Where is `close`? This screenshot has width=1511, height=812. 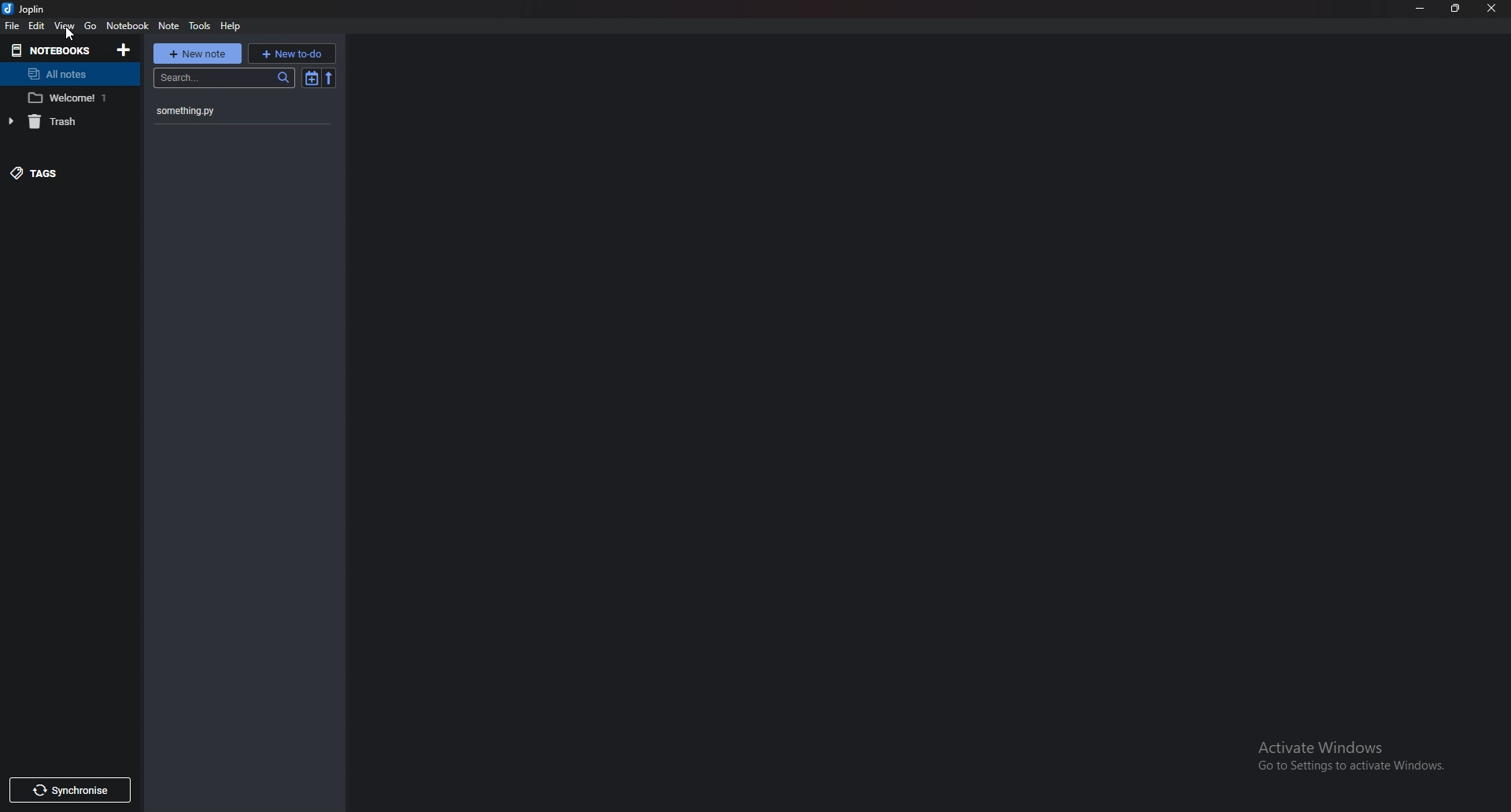
close is located at coordinates (1491, 9).